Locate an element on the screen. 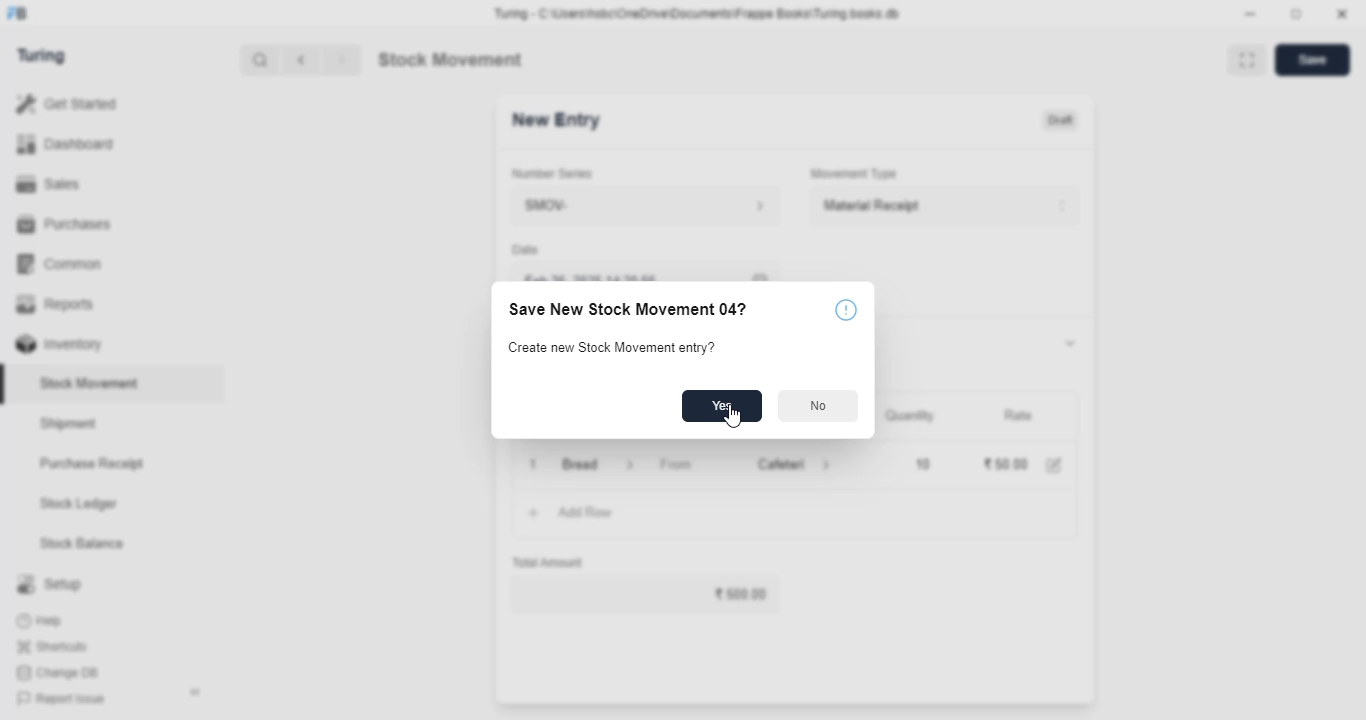 This screenshot has height=720, width=1366. feb 26, 2025 14:20:56 is located at coordinates (595, 272).